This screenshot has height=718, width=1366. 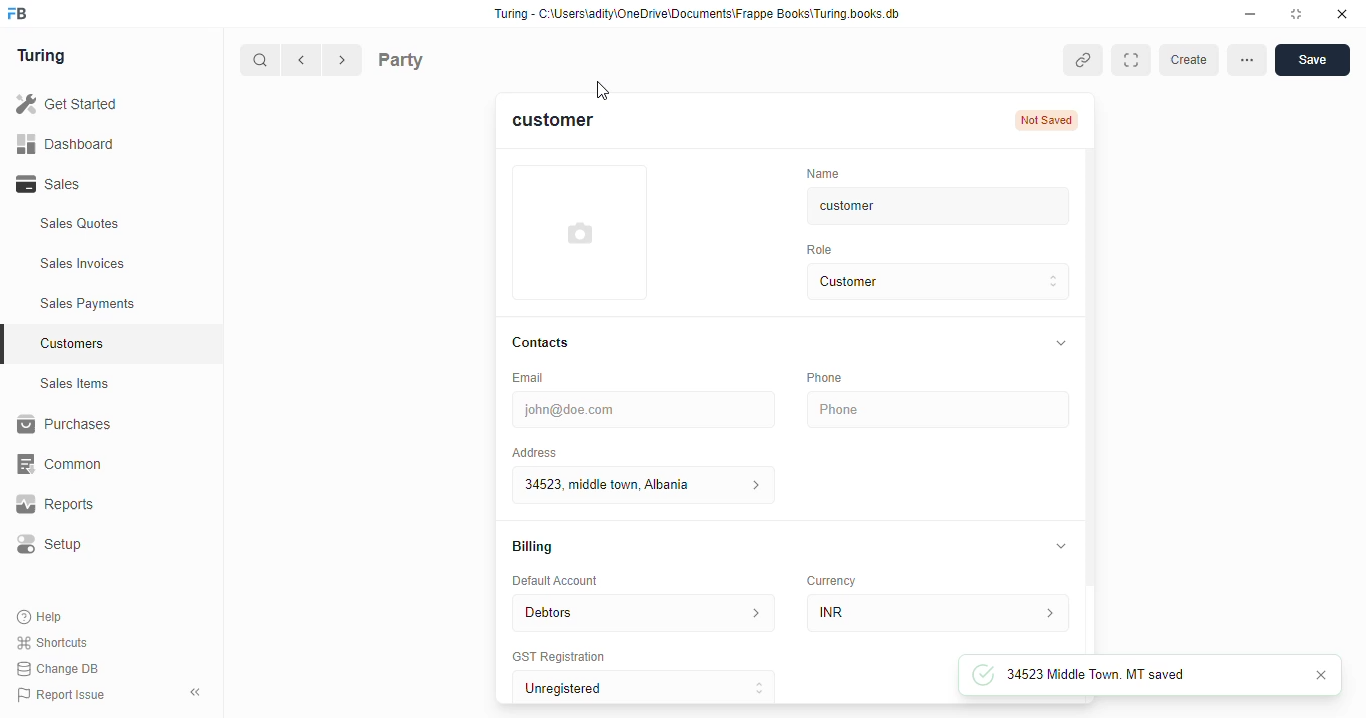 I want to click on Billing, so click(x=550, y=545).